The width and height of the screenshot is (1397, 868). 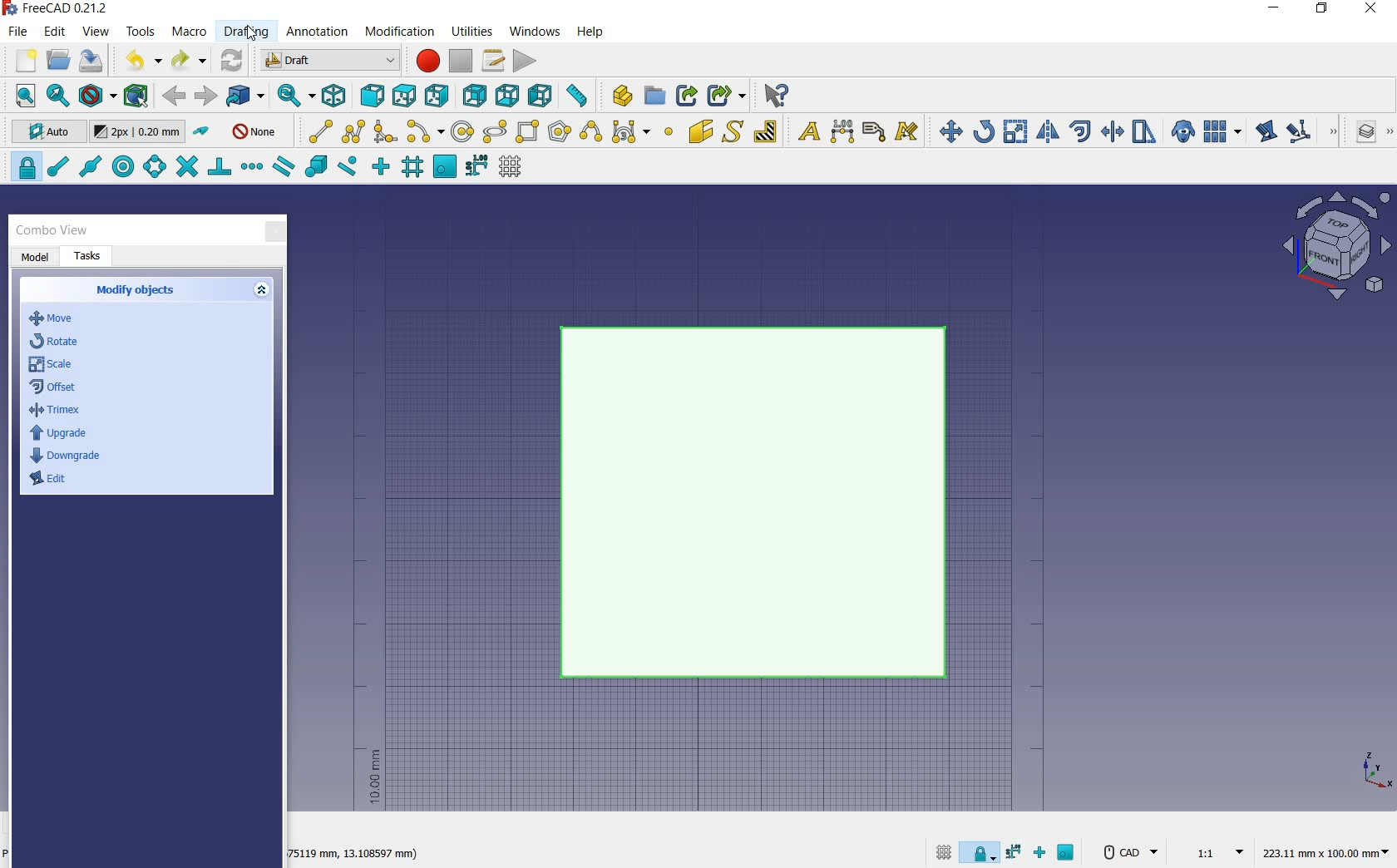 I want to click on line, so click(x=316, y=131).